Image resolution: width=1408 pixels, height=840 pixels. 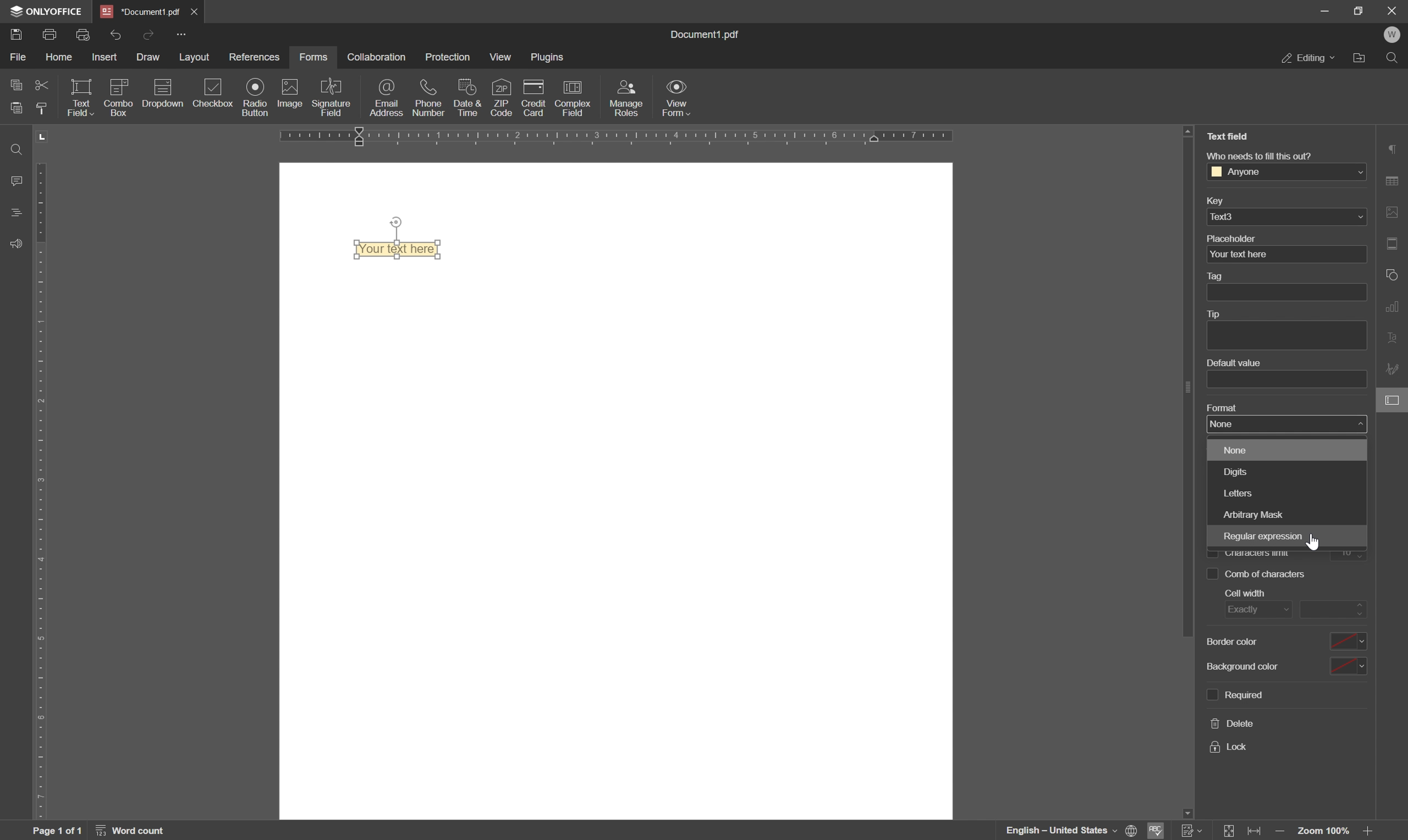 What do you see at coordinates (1243, 172) in the screenshot?
I see `anyone` at bounding box center [1243, 172].